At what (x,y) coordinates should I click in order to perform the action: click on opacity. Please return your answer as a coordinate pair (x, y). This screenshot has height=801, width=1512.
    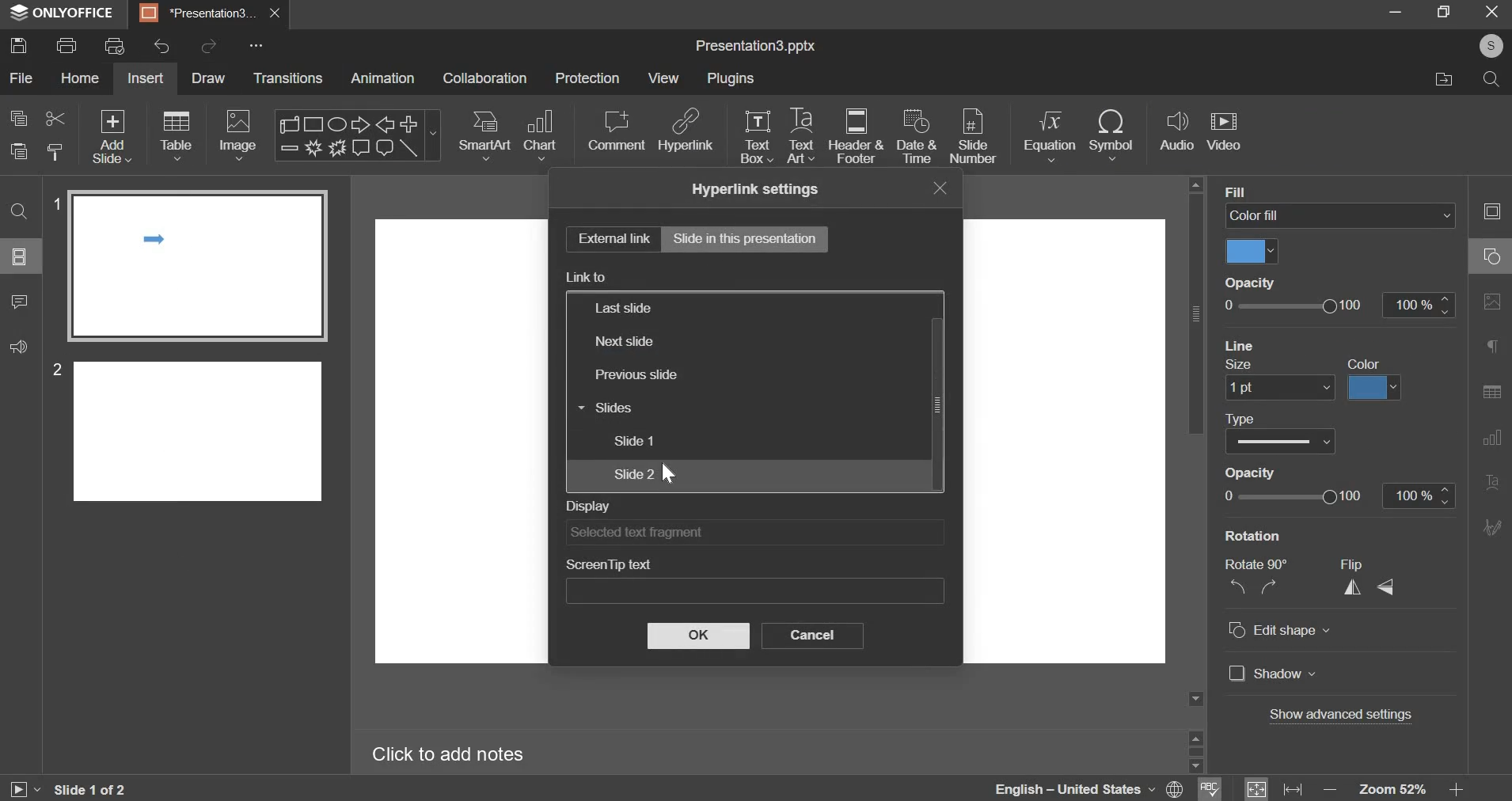
    Looking at the image, I should click on (1248, 473).